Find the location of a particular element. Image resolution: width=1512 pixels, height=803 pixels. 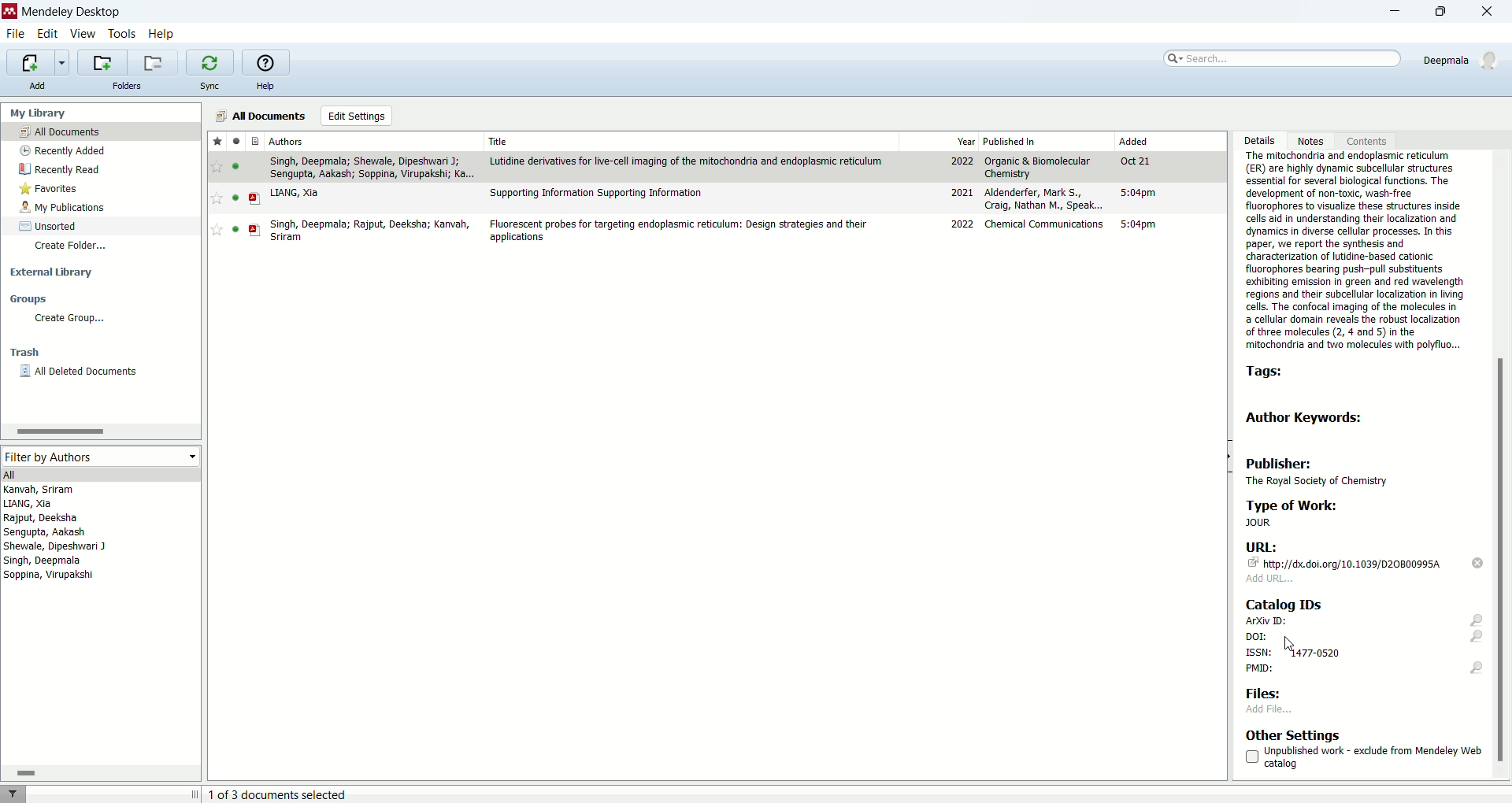

all is located at coordinates (98, 474).